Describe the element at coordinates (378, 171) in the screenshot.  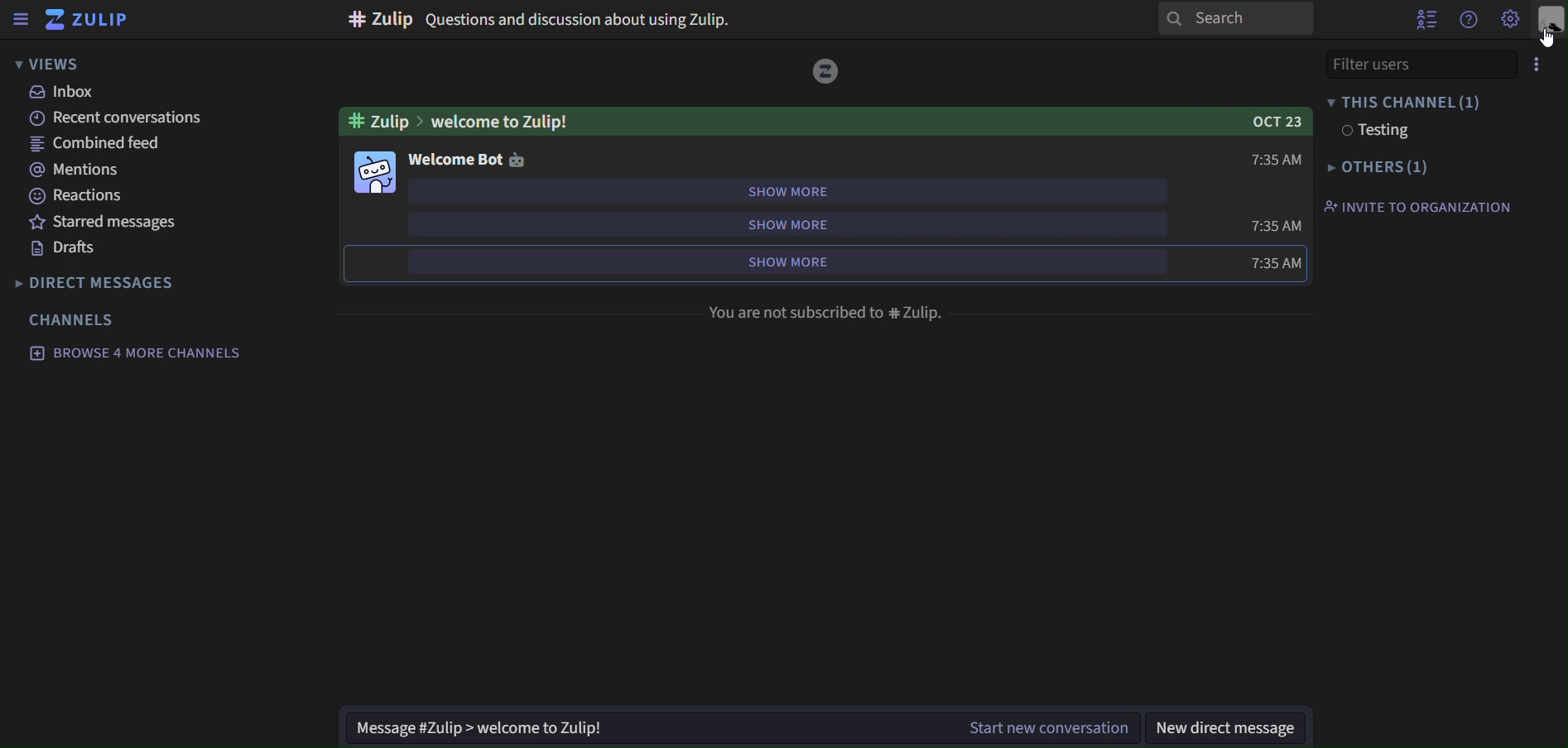
I see `image` at that location.